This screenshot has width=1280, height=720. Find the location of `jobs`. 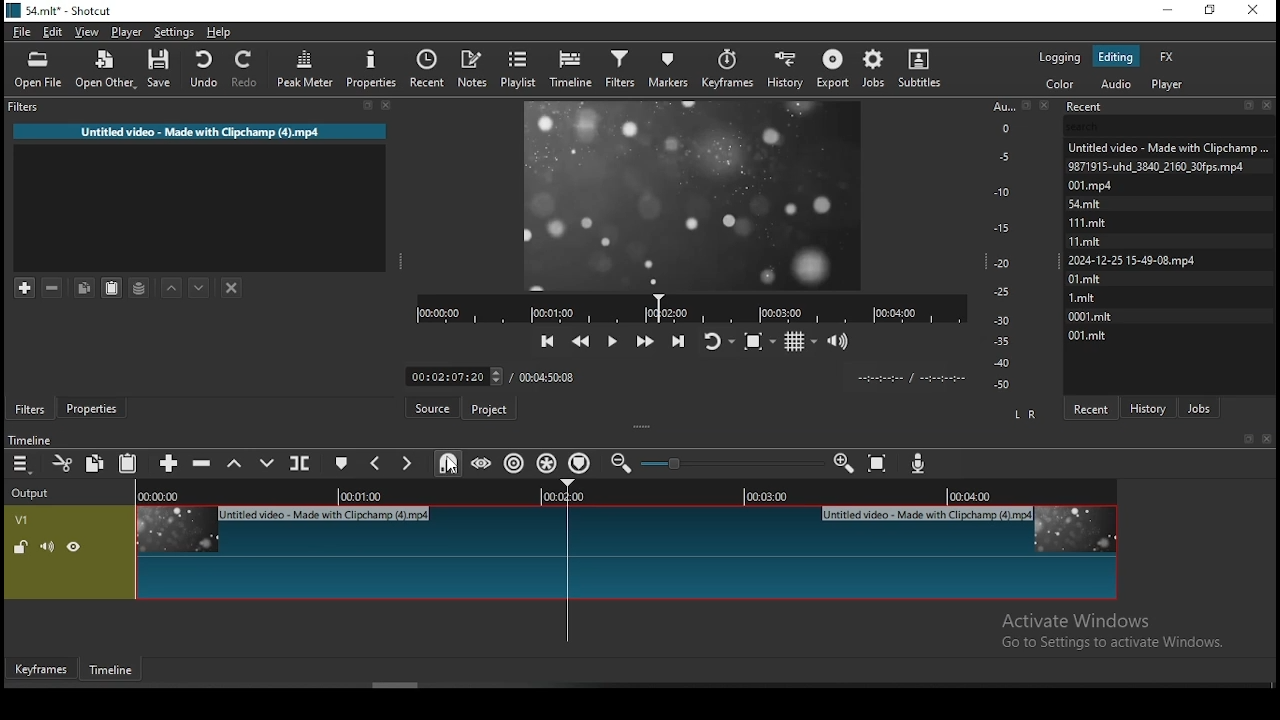

jobs is located at coordinates (1199, 408).